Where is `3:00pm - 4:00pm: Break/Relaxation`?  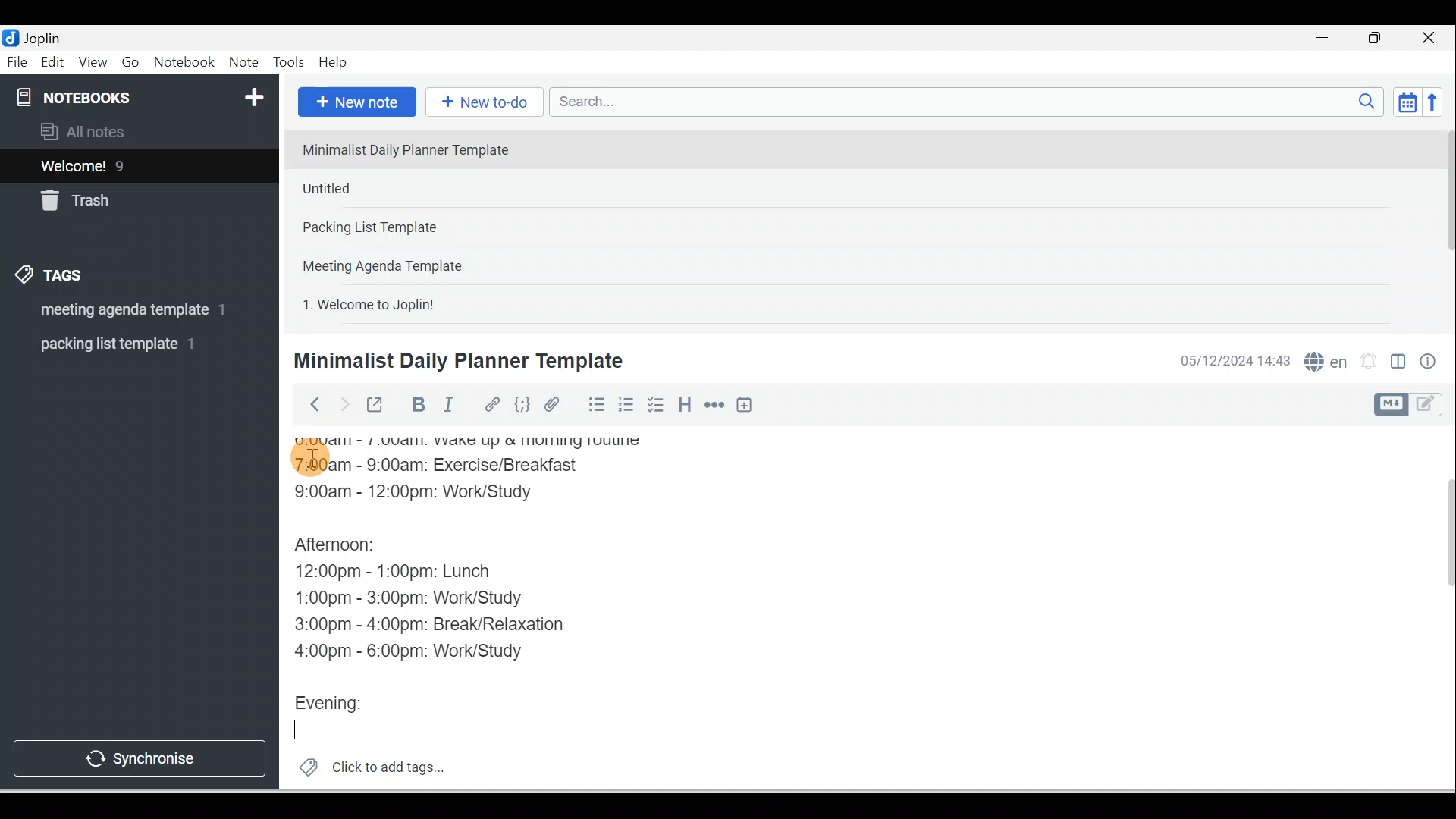 3:00pm - 4:00pm: Break/Relaxation is located at coordinates (462, 623).